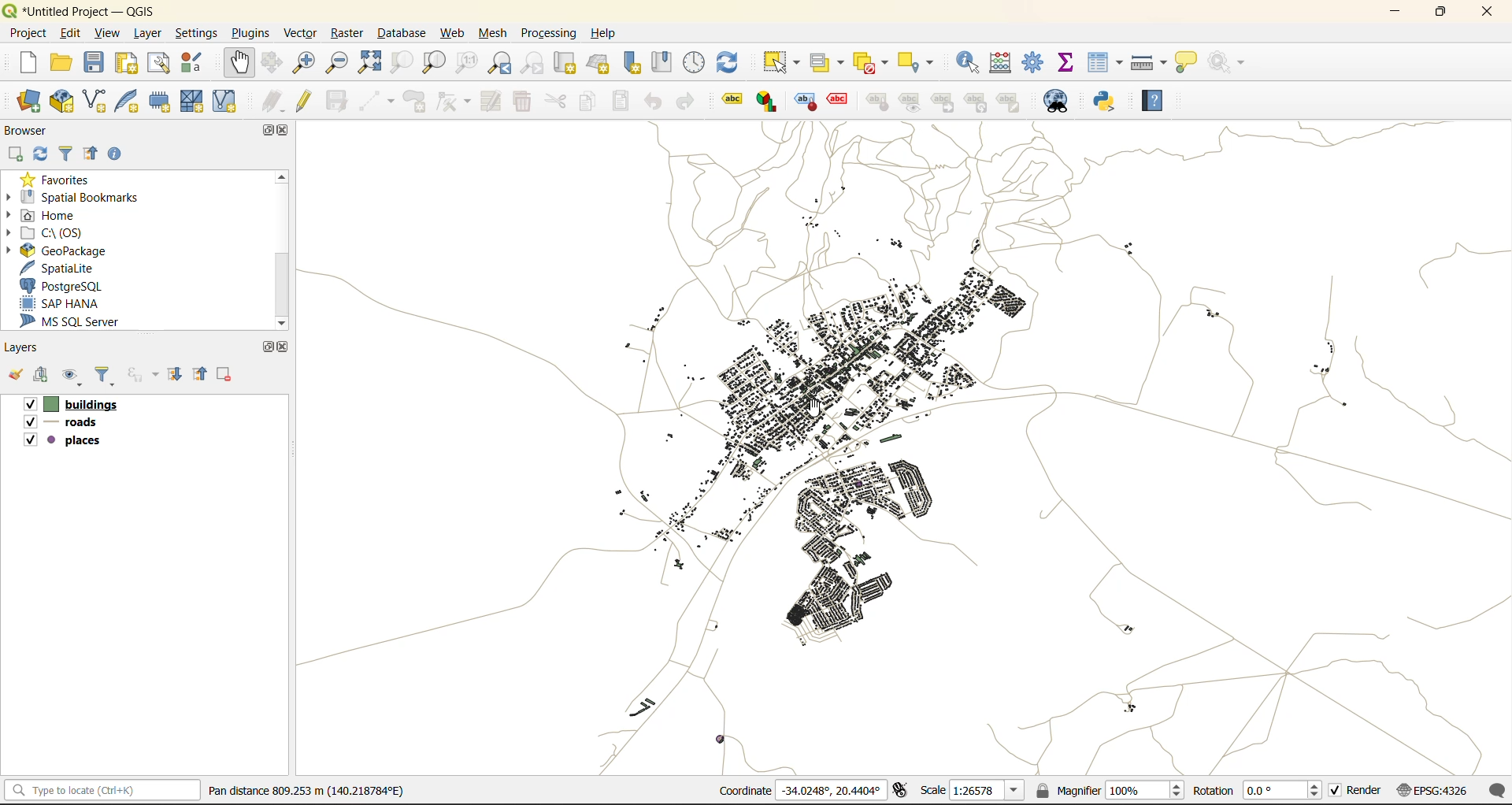 The height and width of the screenshot is (805, 1512). Describe the element at coordinates (28, 128) in the screenshot. I see `browser` at that location.